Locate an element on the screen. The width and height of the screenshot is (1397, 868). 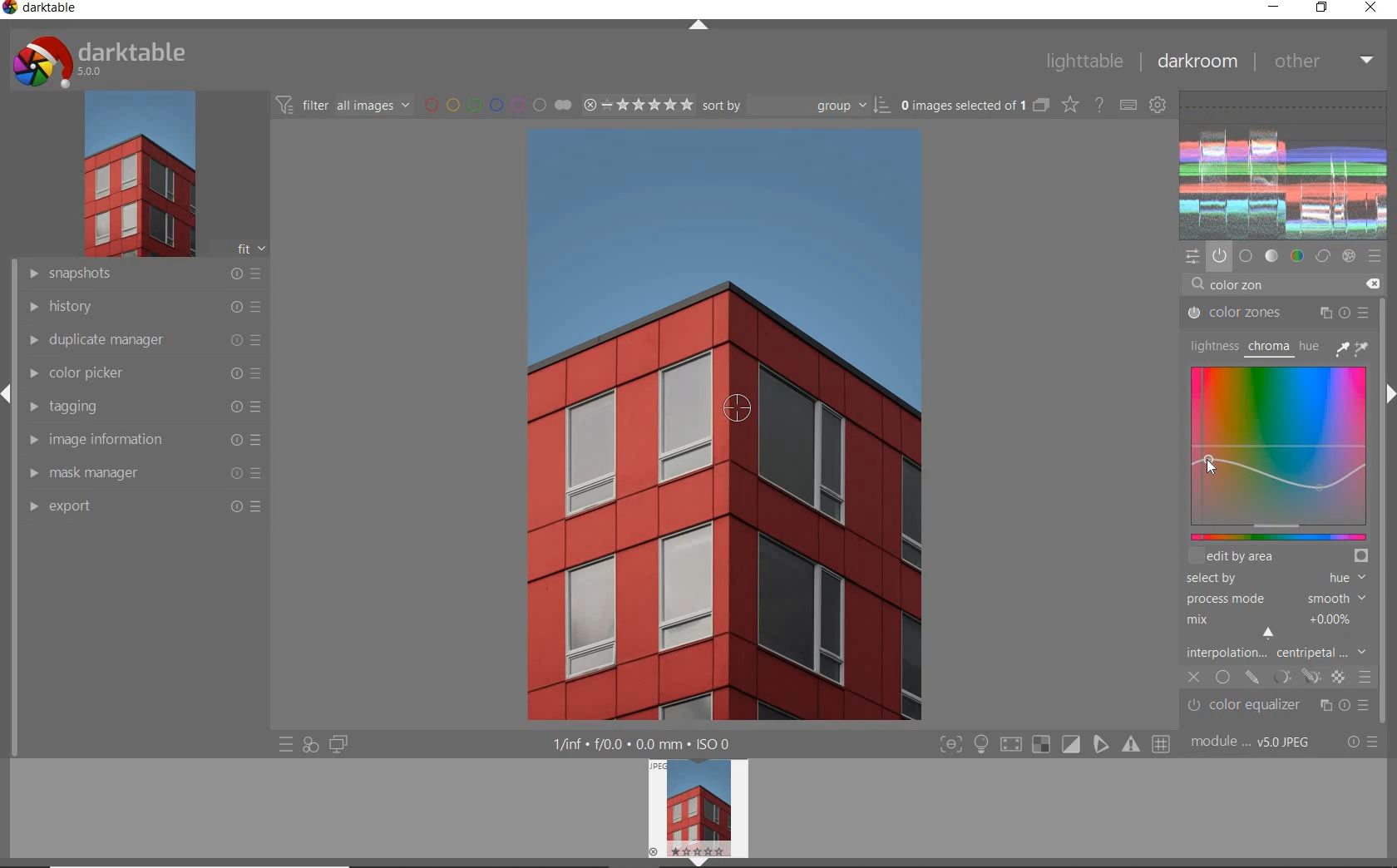
expand/collapse is located at coordinates (699, 26).